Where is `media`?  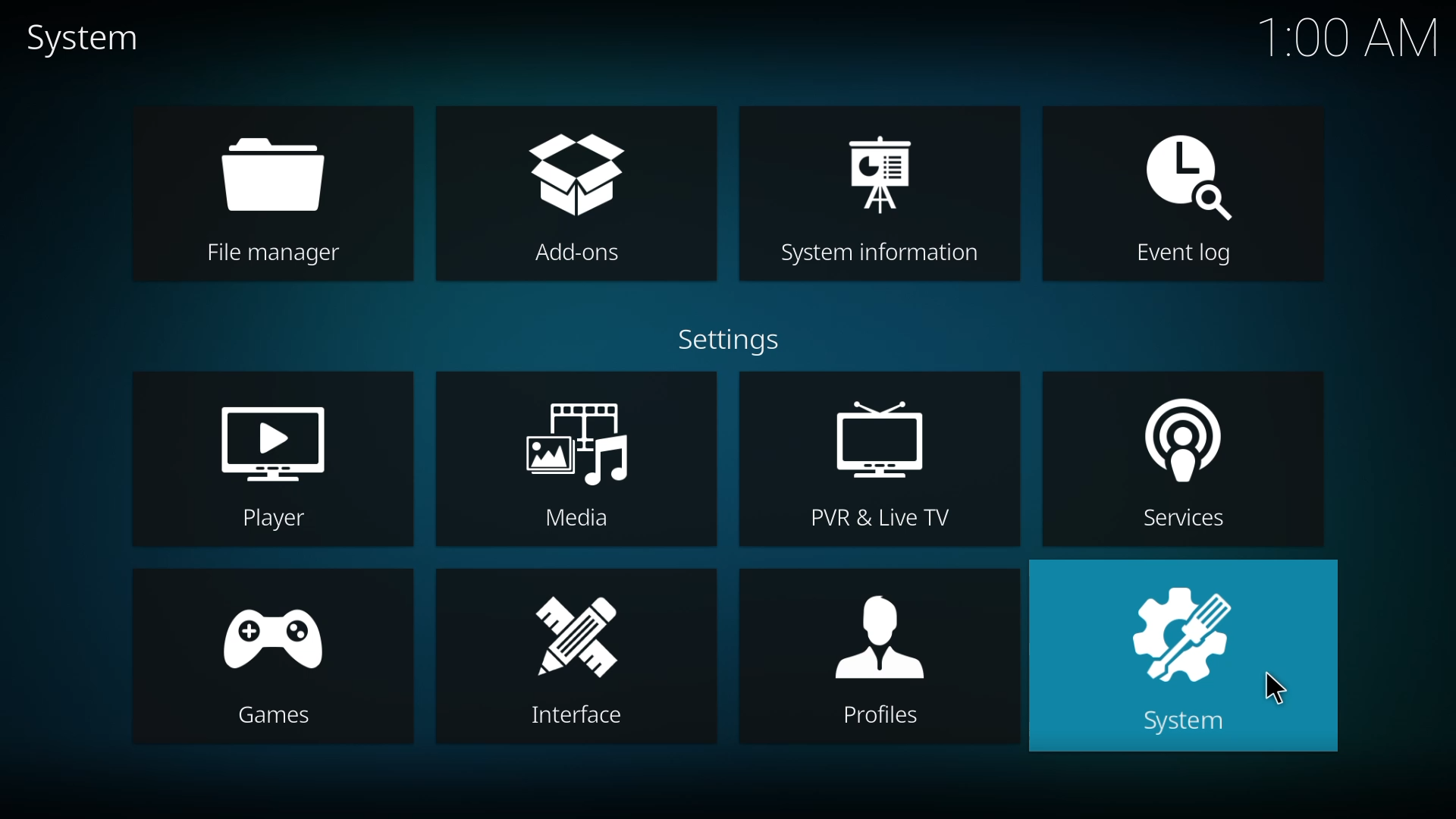 media is located at coordinates (587, 467).